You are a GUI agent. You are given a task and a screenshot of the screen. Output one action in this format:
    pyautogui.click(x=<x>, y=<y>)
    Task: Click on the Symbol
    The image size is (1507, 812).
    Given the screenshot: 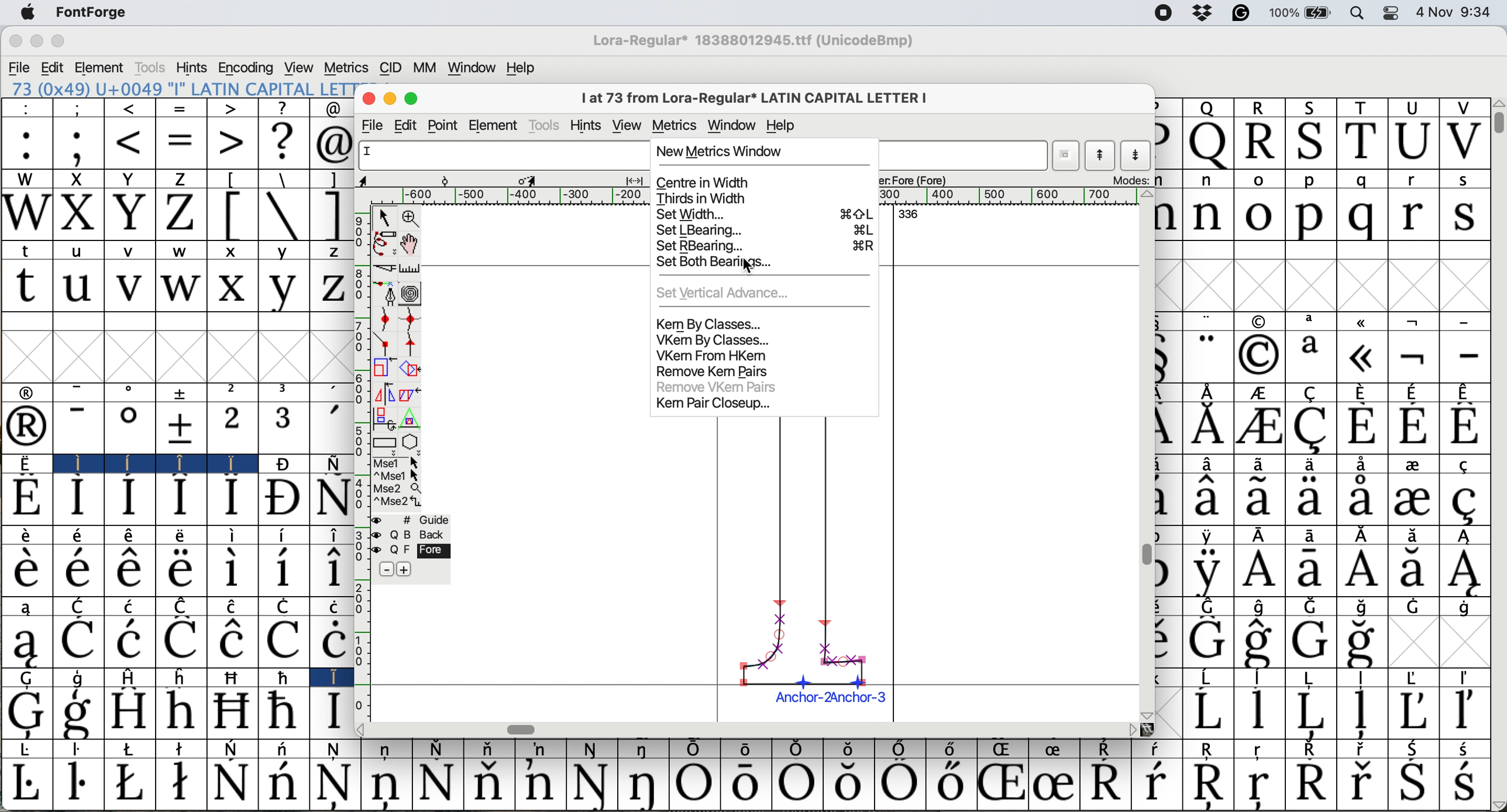 What is the action you would take?
    pyautogui.click(x=80, y=713)
    